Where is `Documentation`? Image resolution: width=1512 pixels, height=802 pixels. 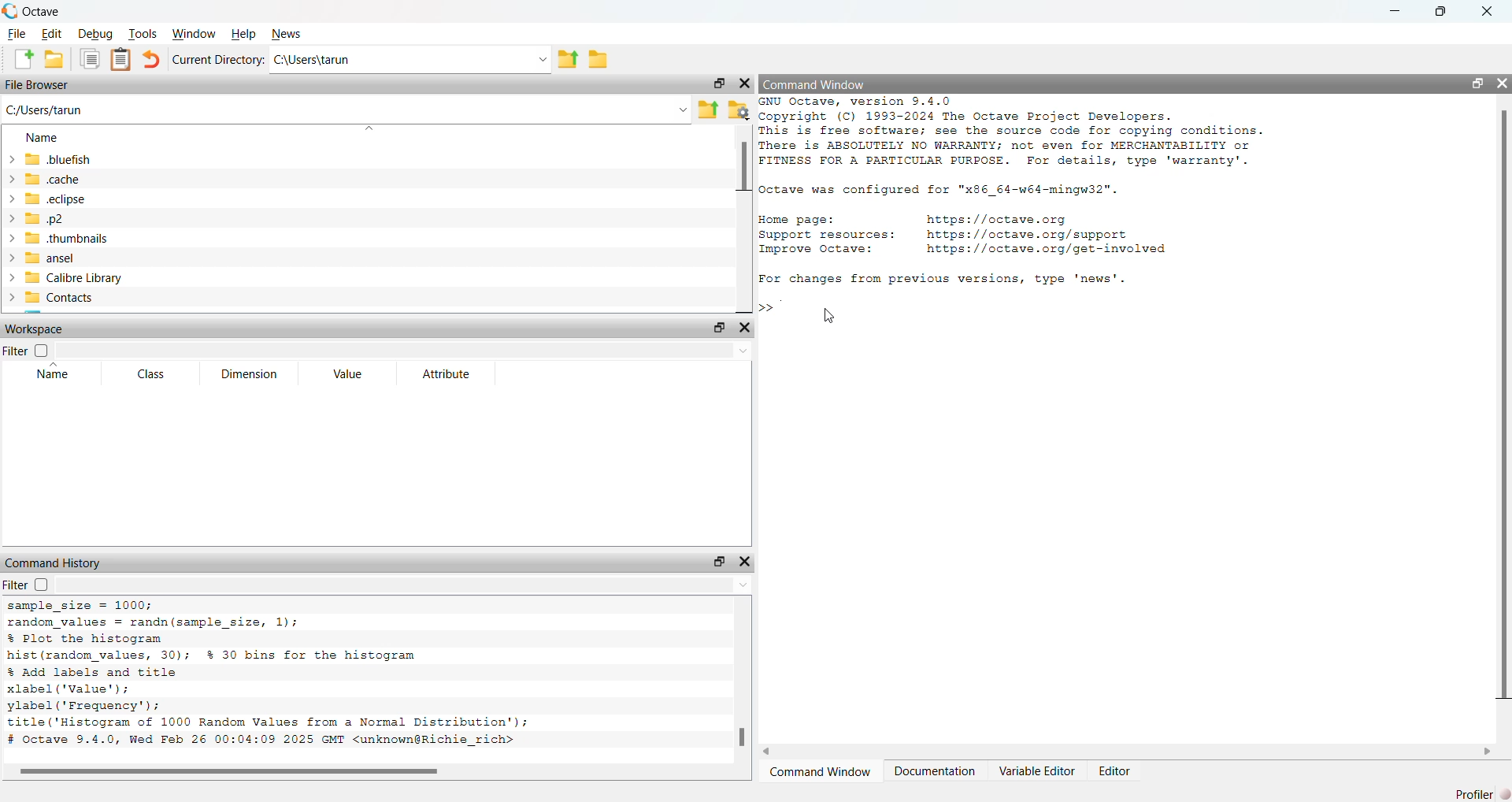 Documentation is located at coordinates (936, 772).